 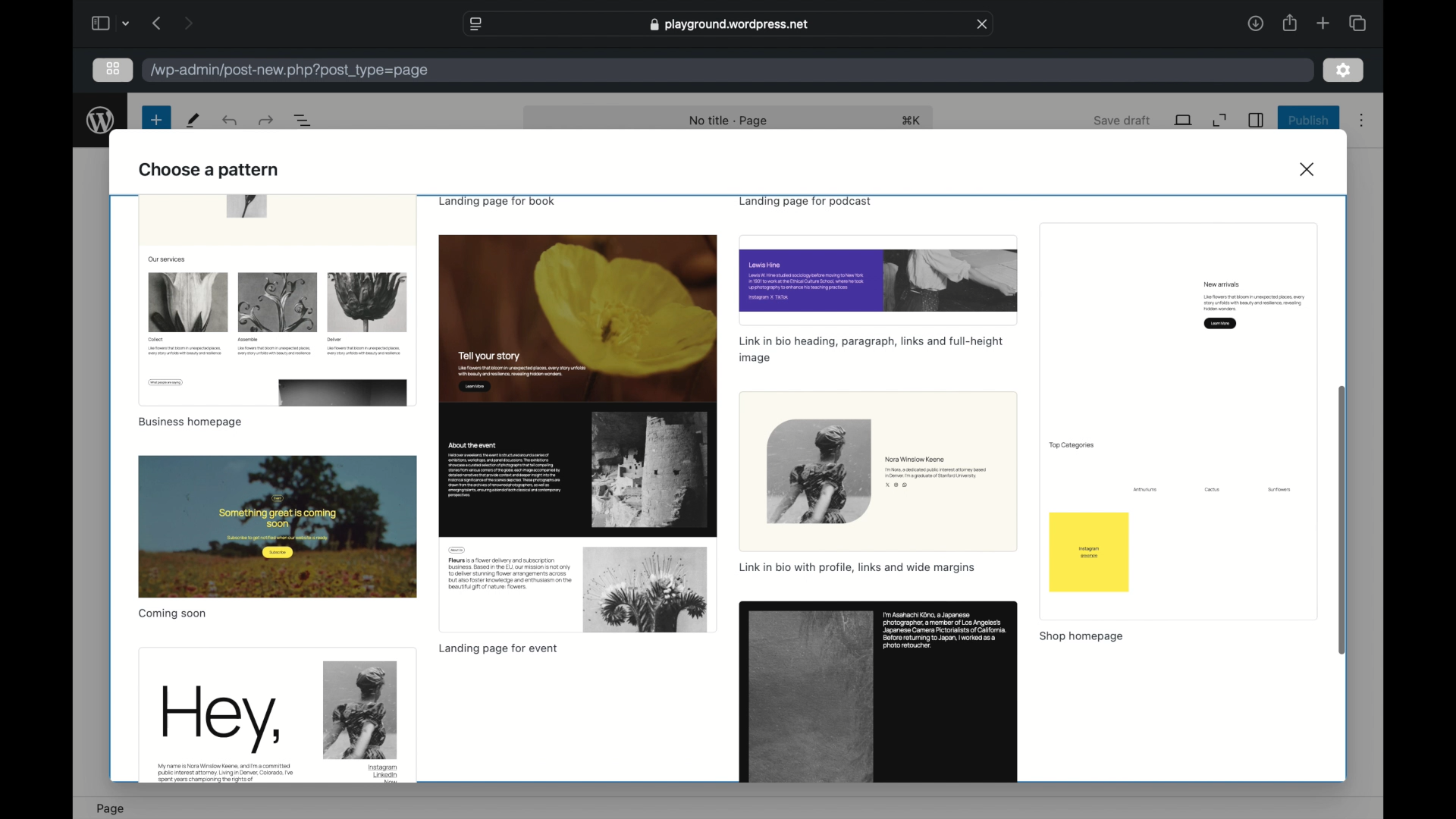 What do you see at coordinates (1343, 69) in the screenshot?
I see `settings` at bounding box center [1343, 69].